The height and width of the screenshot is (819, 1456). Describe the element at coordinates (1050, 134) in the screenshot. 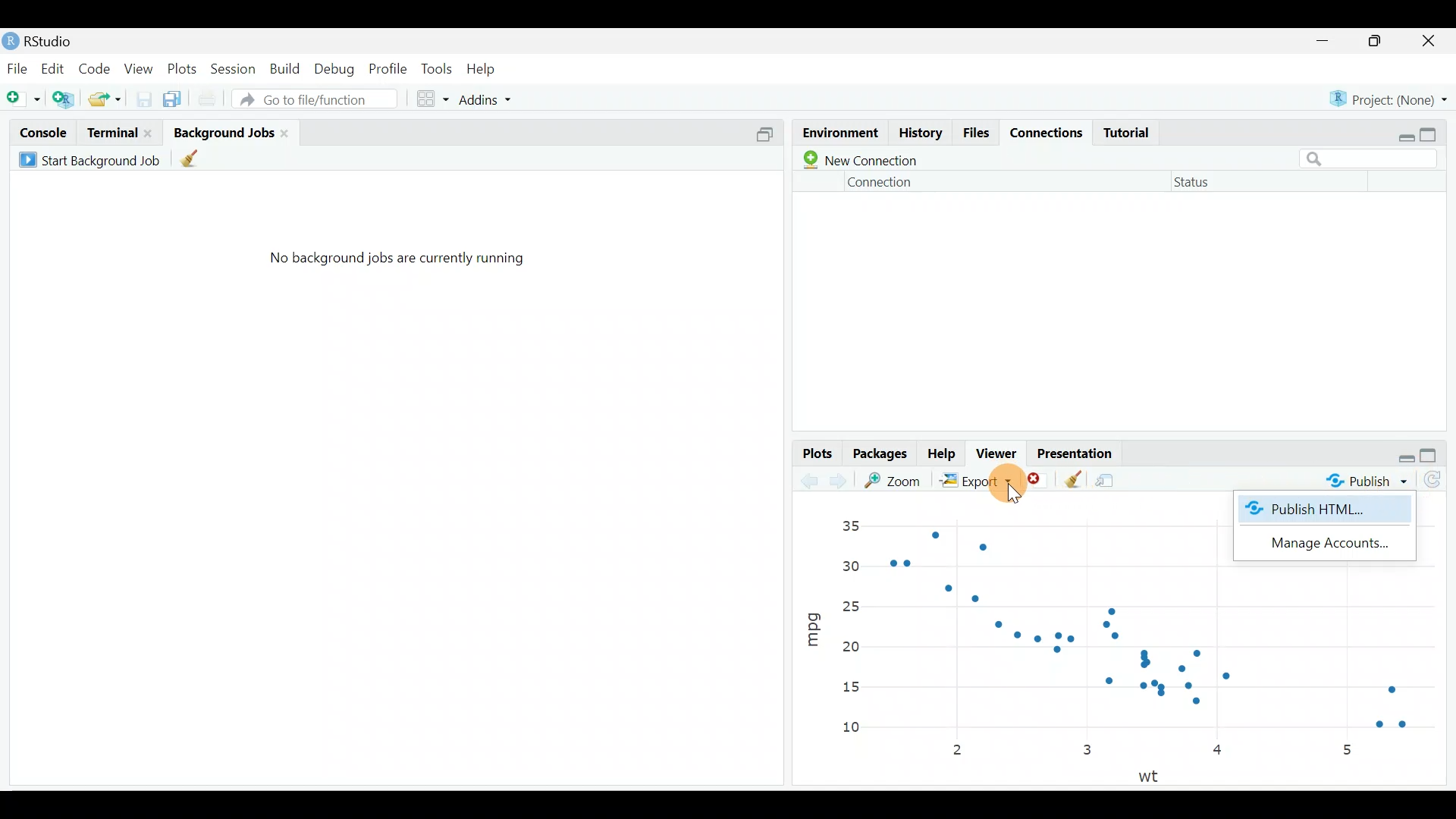

I see `Connections` at that location.